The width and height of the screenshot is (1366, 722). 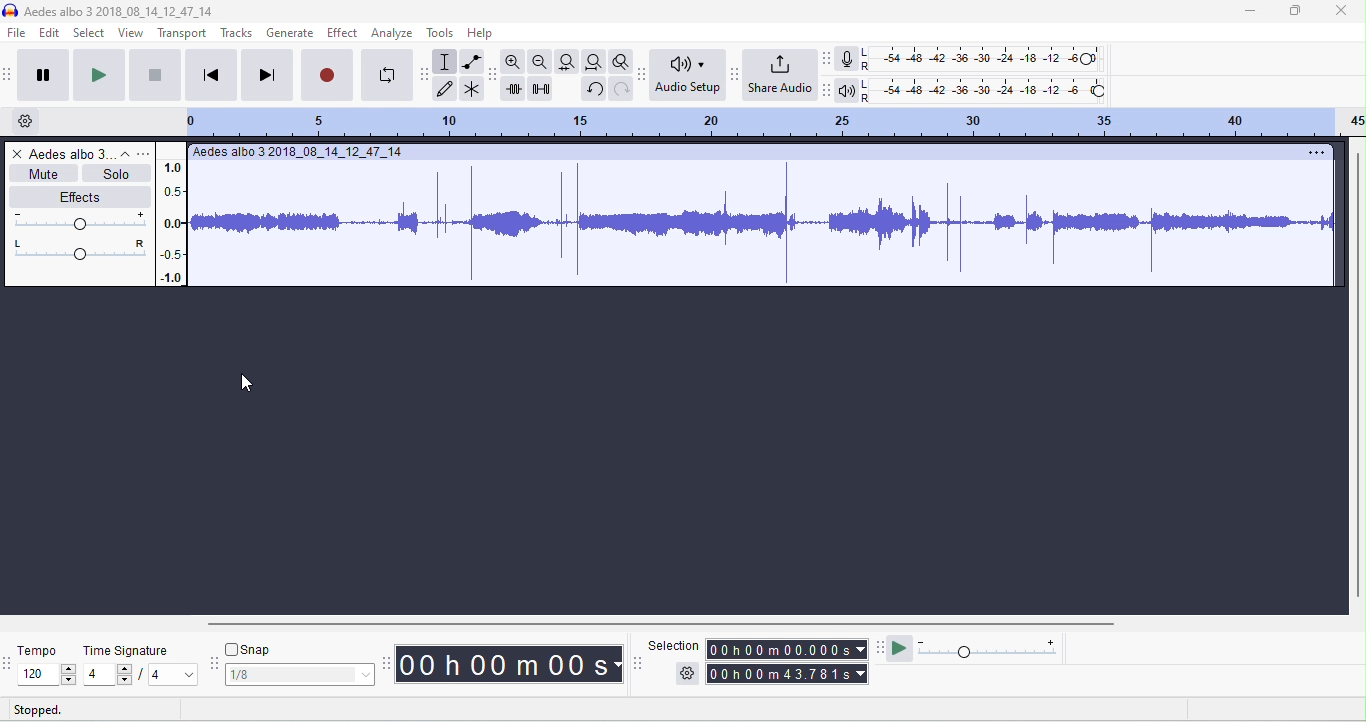 I want to click on analyze, so click(x=394, y=33).